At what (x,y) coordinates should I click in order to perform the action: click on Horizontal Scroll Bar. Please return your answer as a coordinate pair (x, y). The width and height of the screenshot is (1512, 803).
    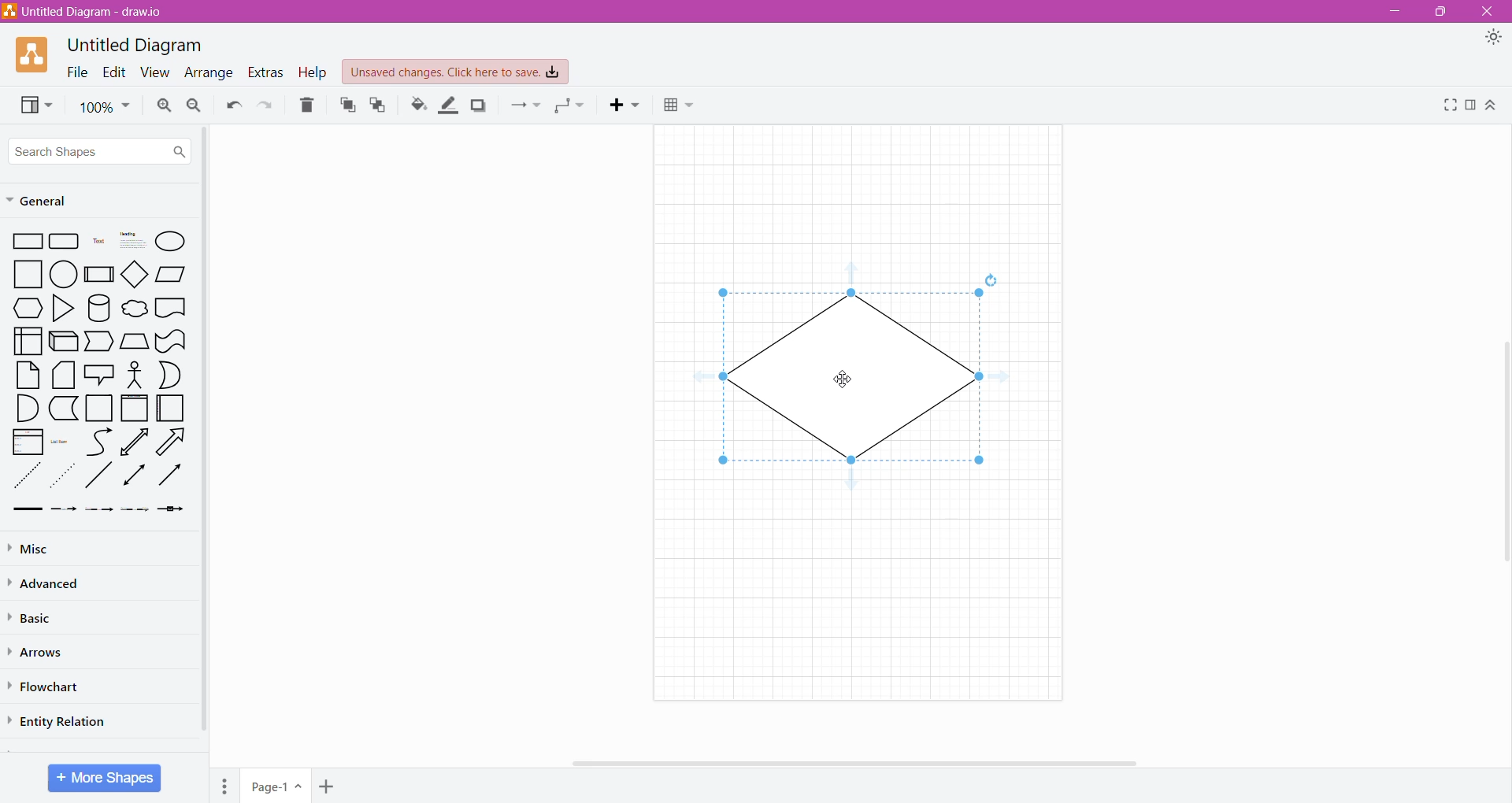
    Looking at the image, I should click on (857, 759).